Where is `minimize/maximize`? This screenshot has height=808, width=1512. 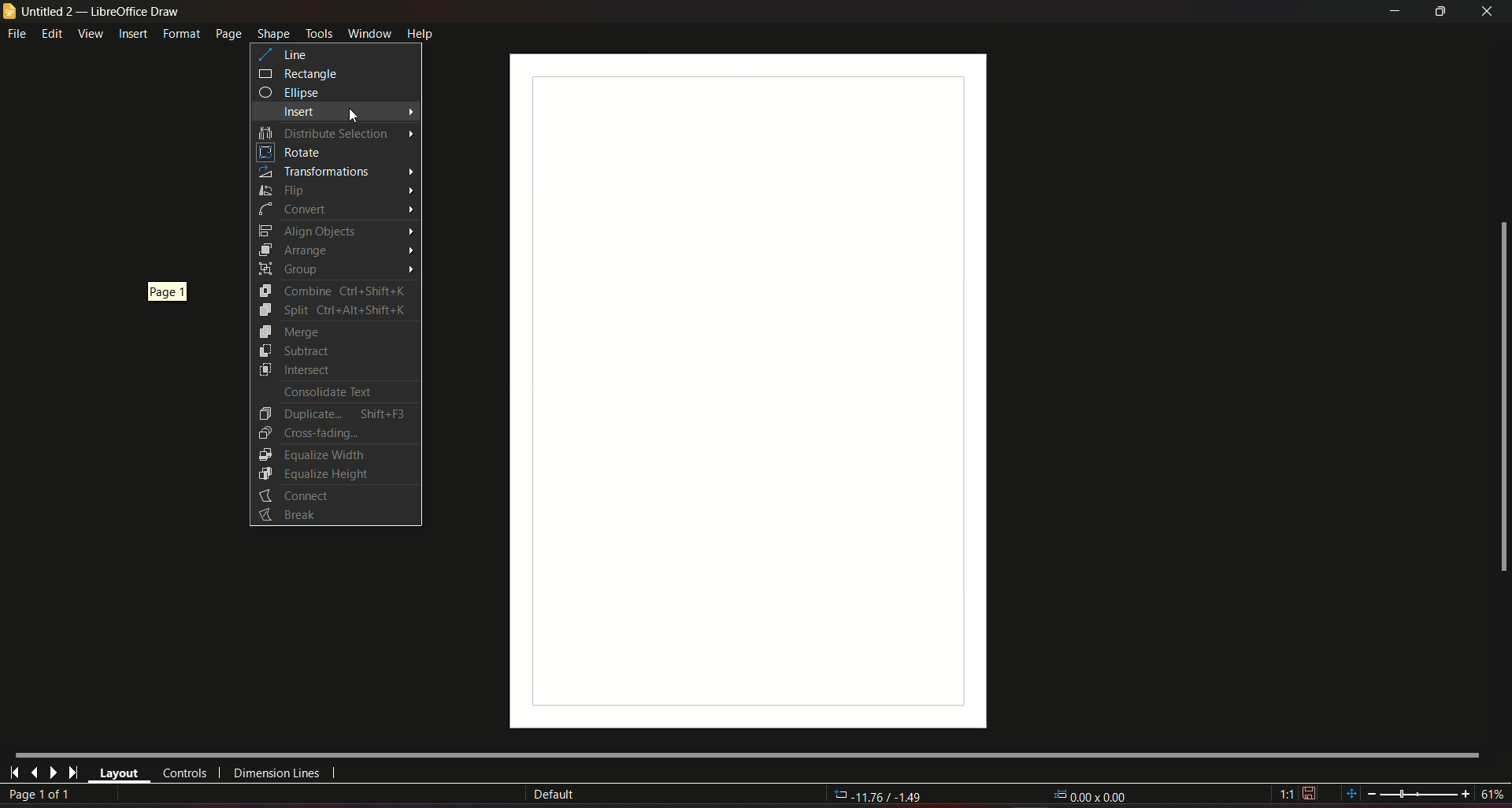 minimize/maximize is located at coordinates (1438, 12).